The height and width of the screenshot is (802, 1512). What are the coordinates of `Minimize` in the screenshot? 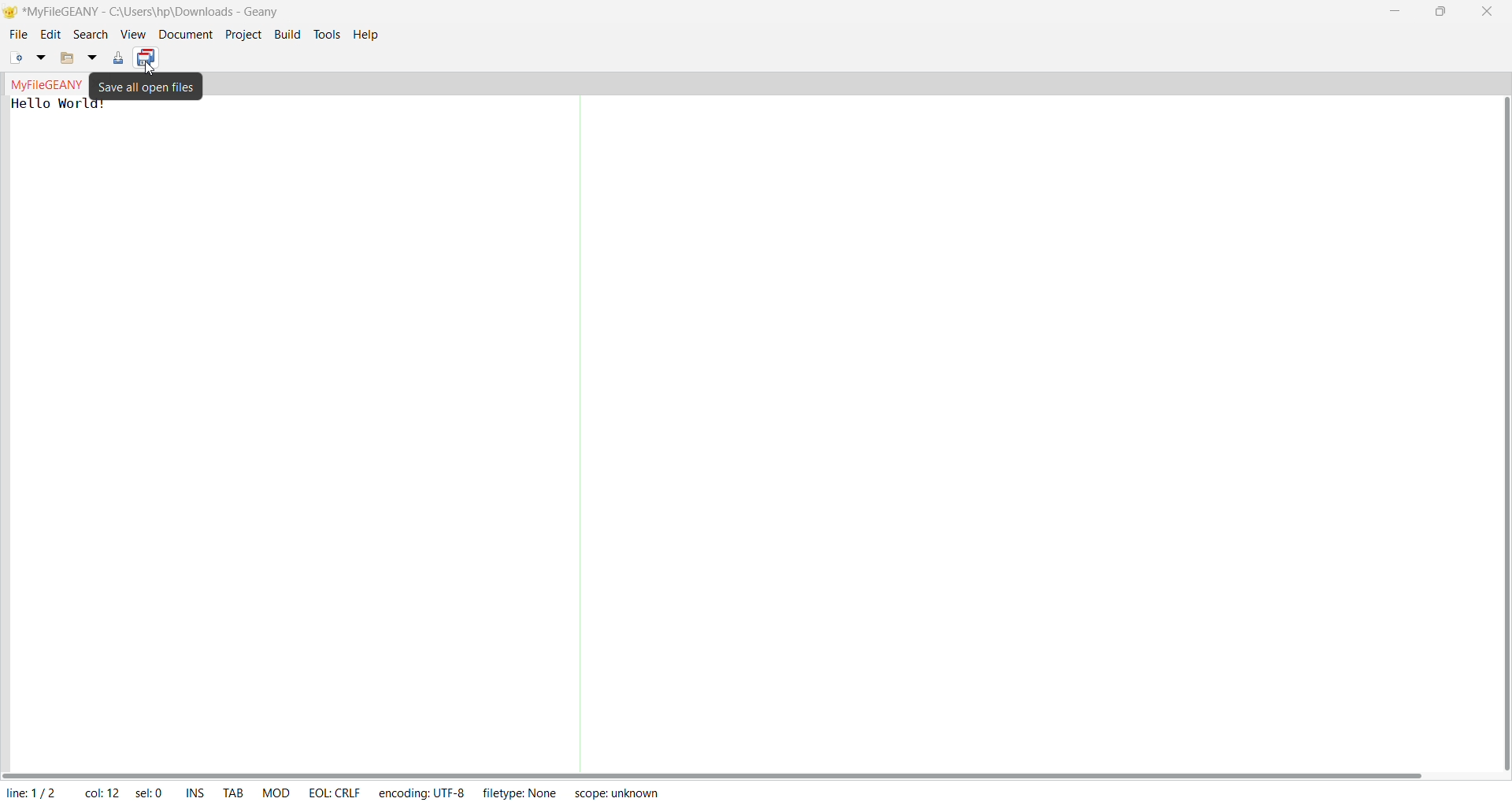 It's located at (1395, 12).